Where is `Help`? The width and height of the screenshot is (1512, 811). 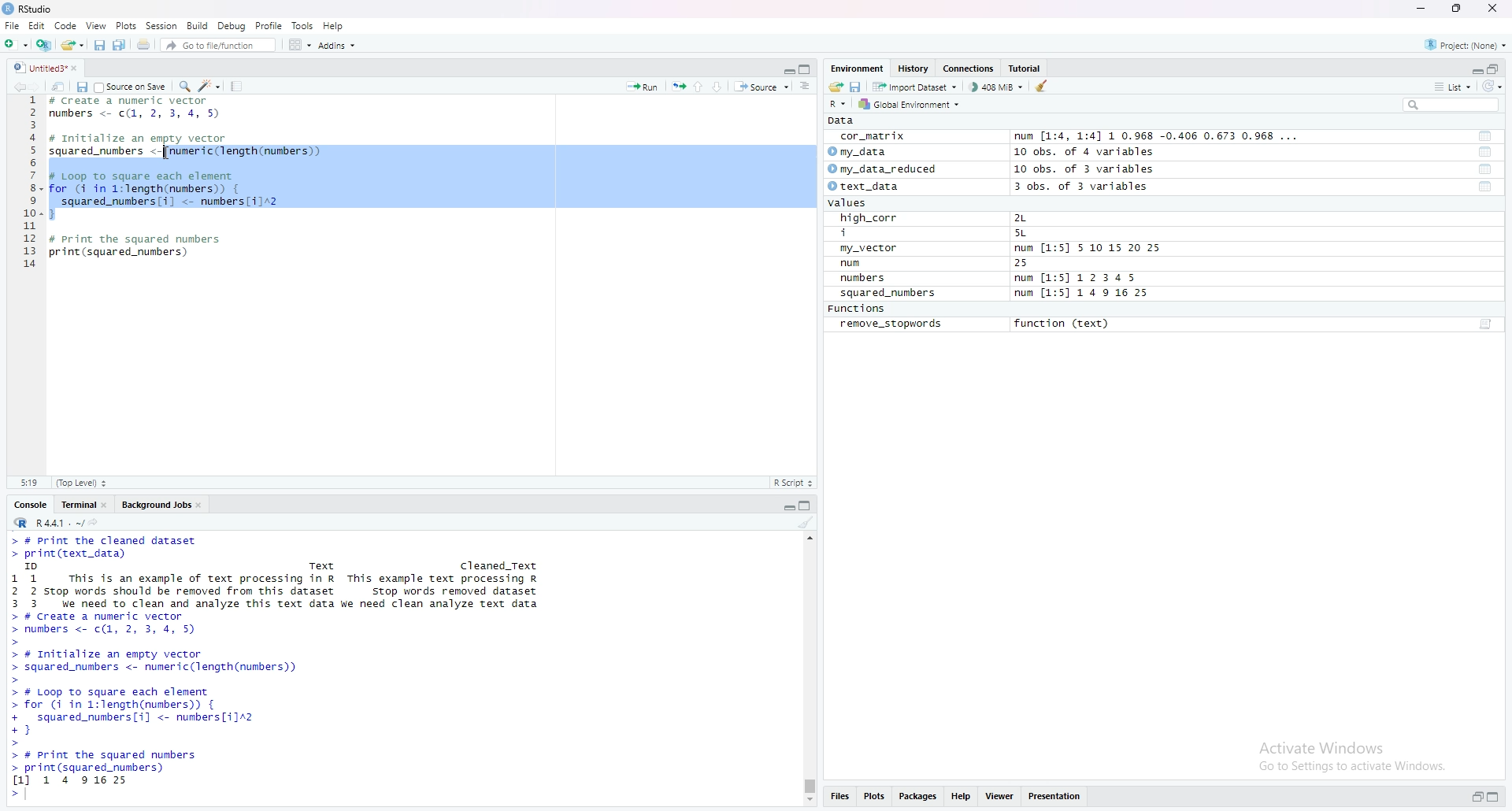
Help is located at coordinates (334, 25).